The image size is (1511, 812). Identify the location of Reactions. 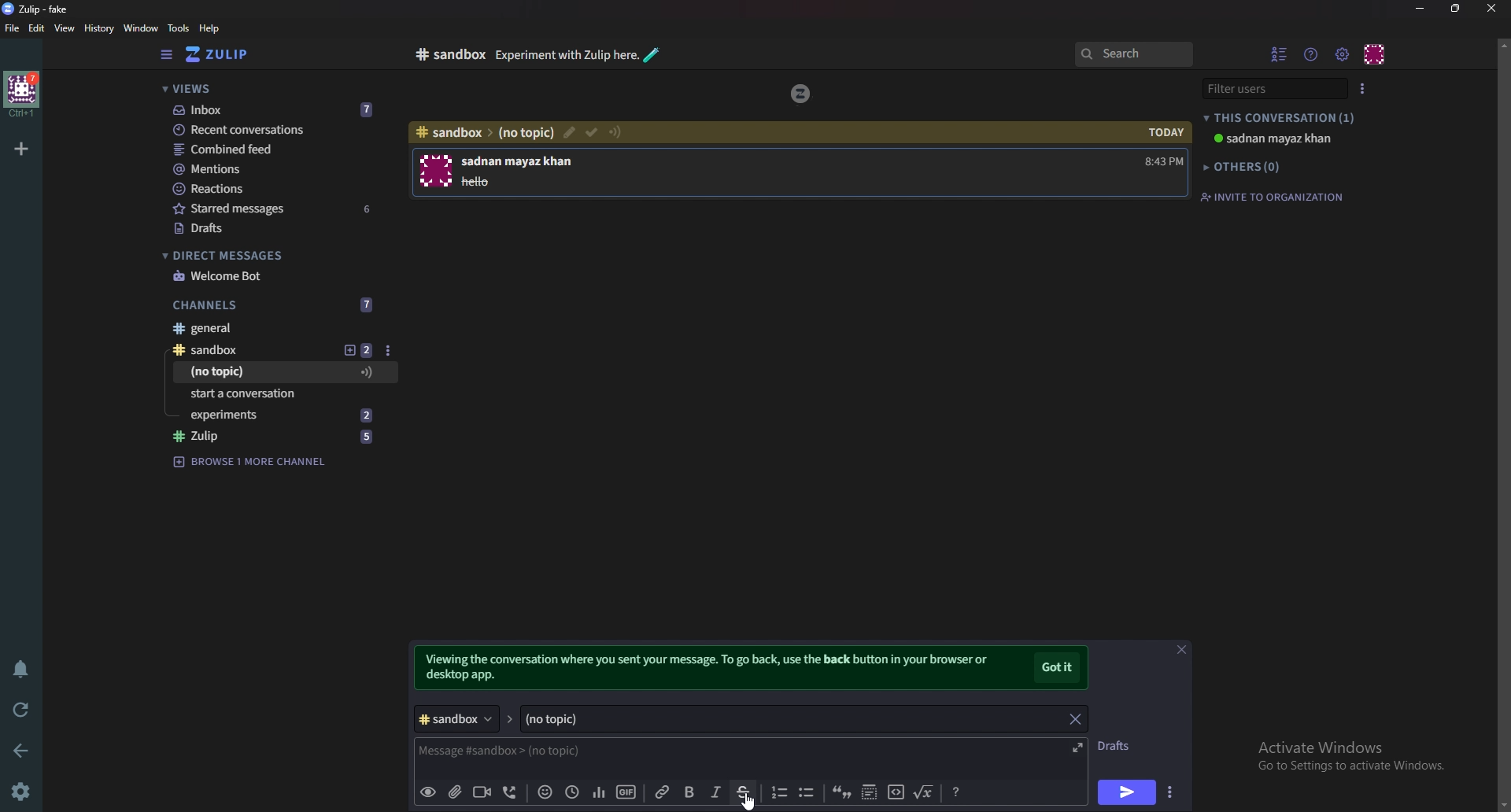
(269, 187).